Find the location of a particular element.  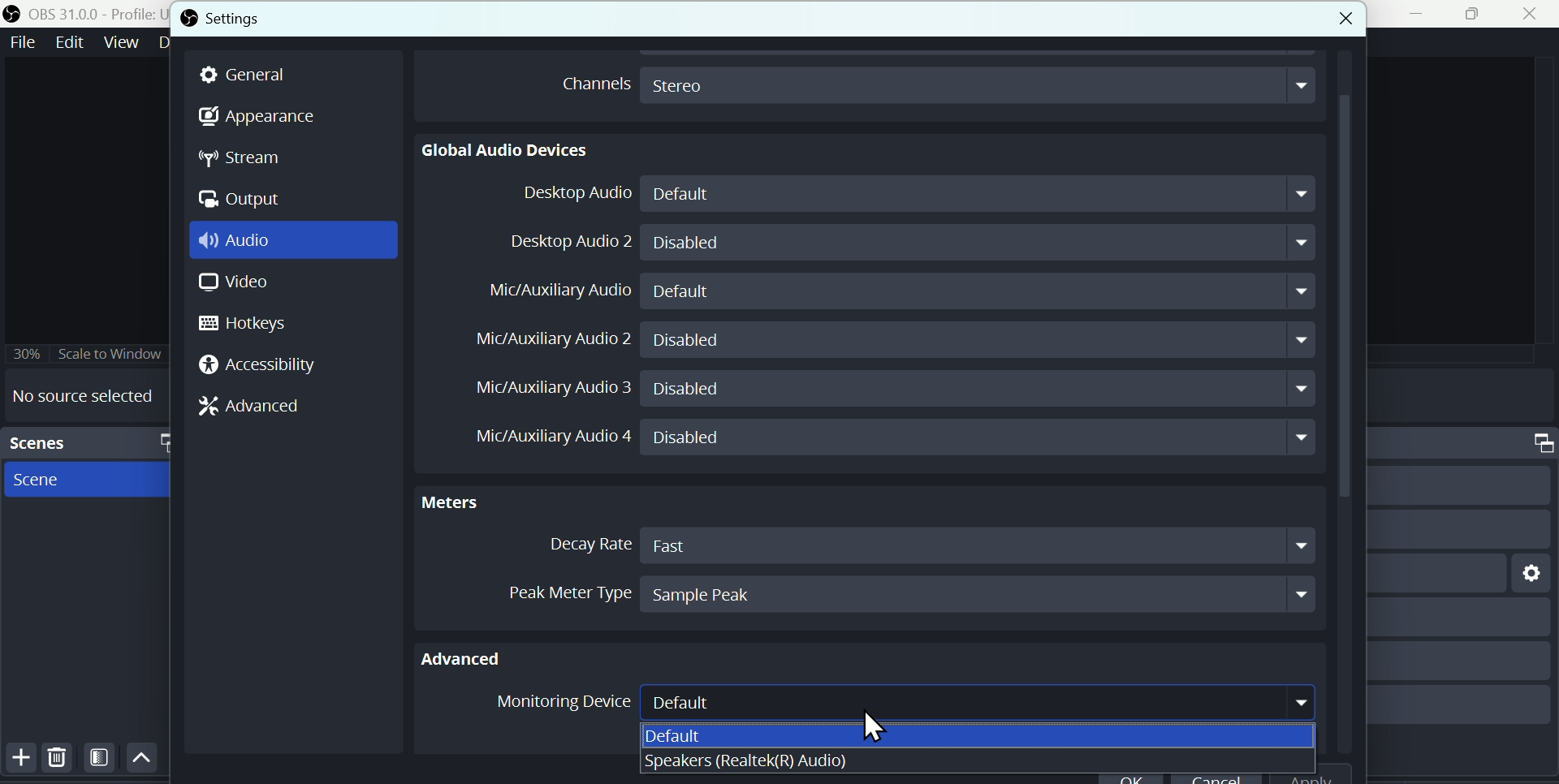

Cancel is located at coordinates (1216, 777).